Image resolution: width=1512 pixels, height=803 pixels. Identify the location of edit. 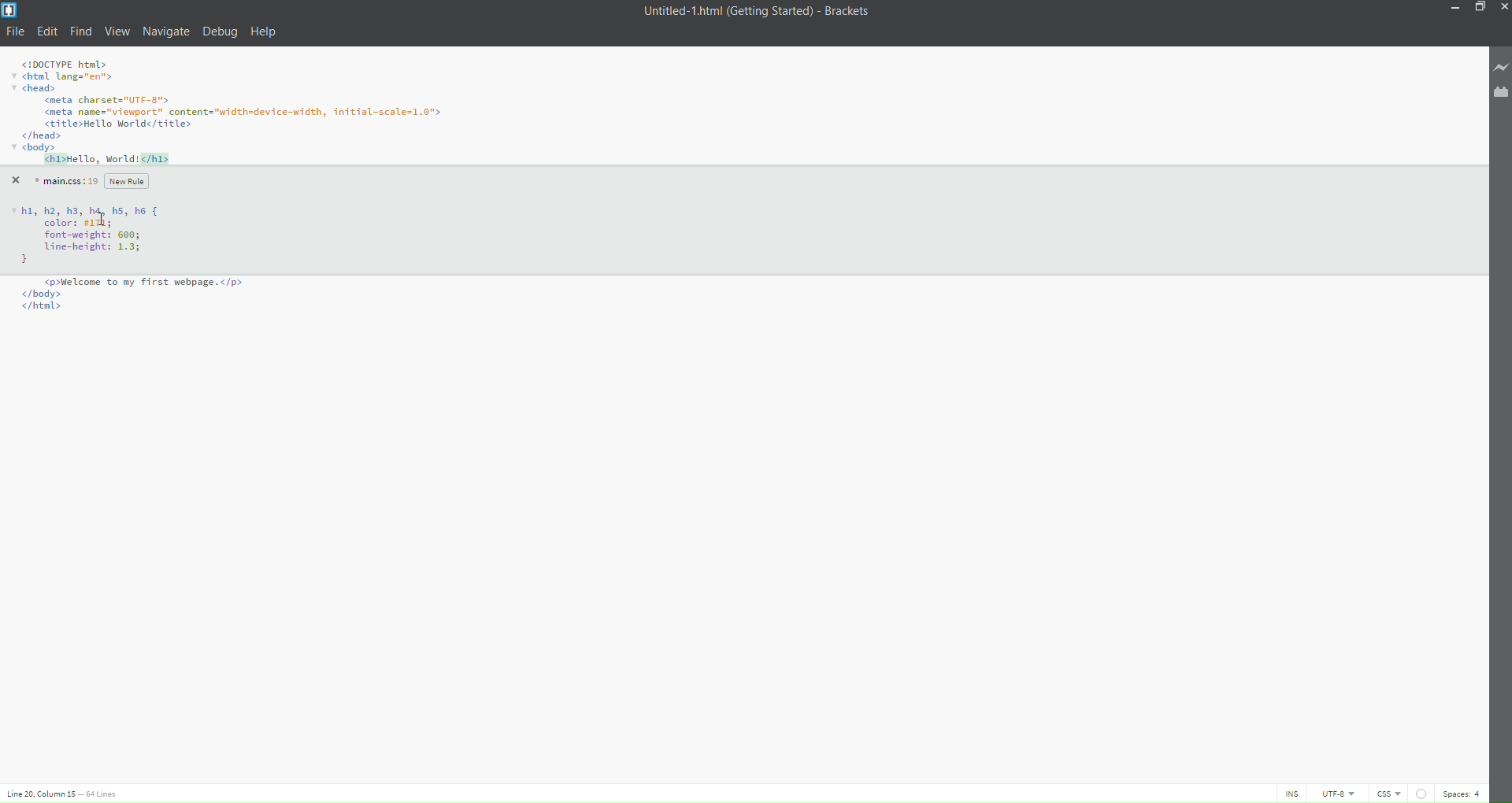
(49, 31).